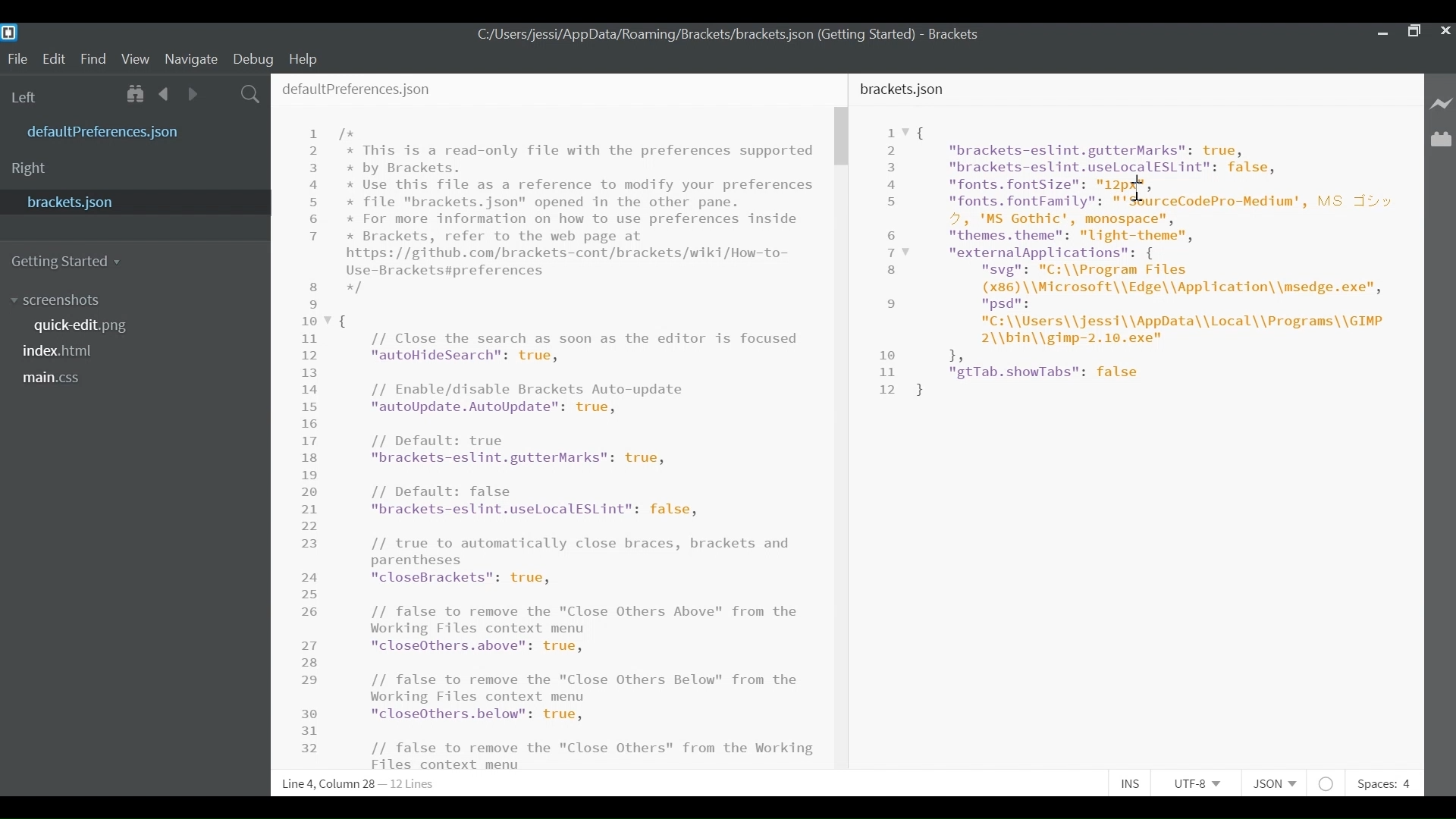  I want to click on bracket.json, so click(905, 89).